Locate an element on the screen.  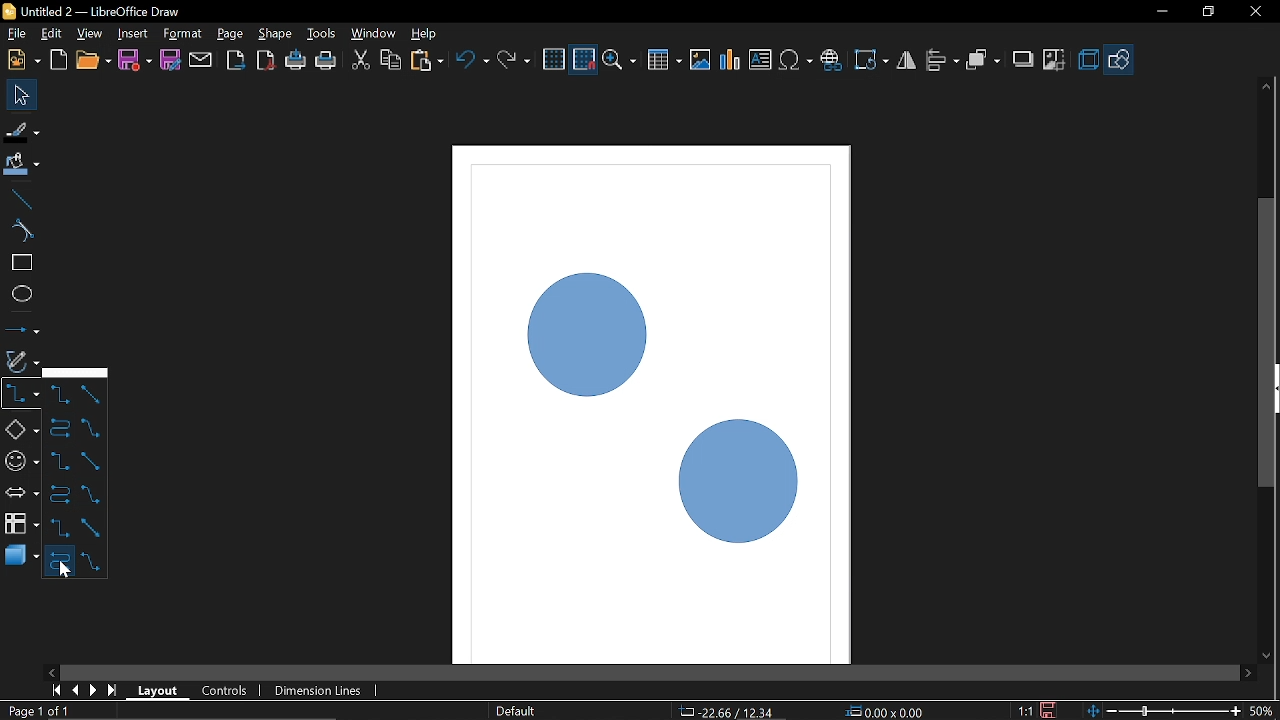
Zoom chnage is located at coordinates (1163, 711).